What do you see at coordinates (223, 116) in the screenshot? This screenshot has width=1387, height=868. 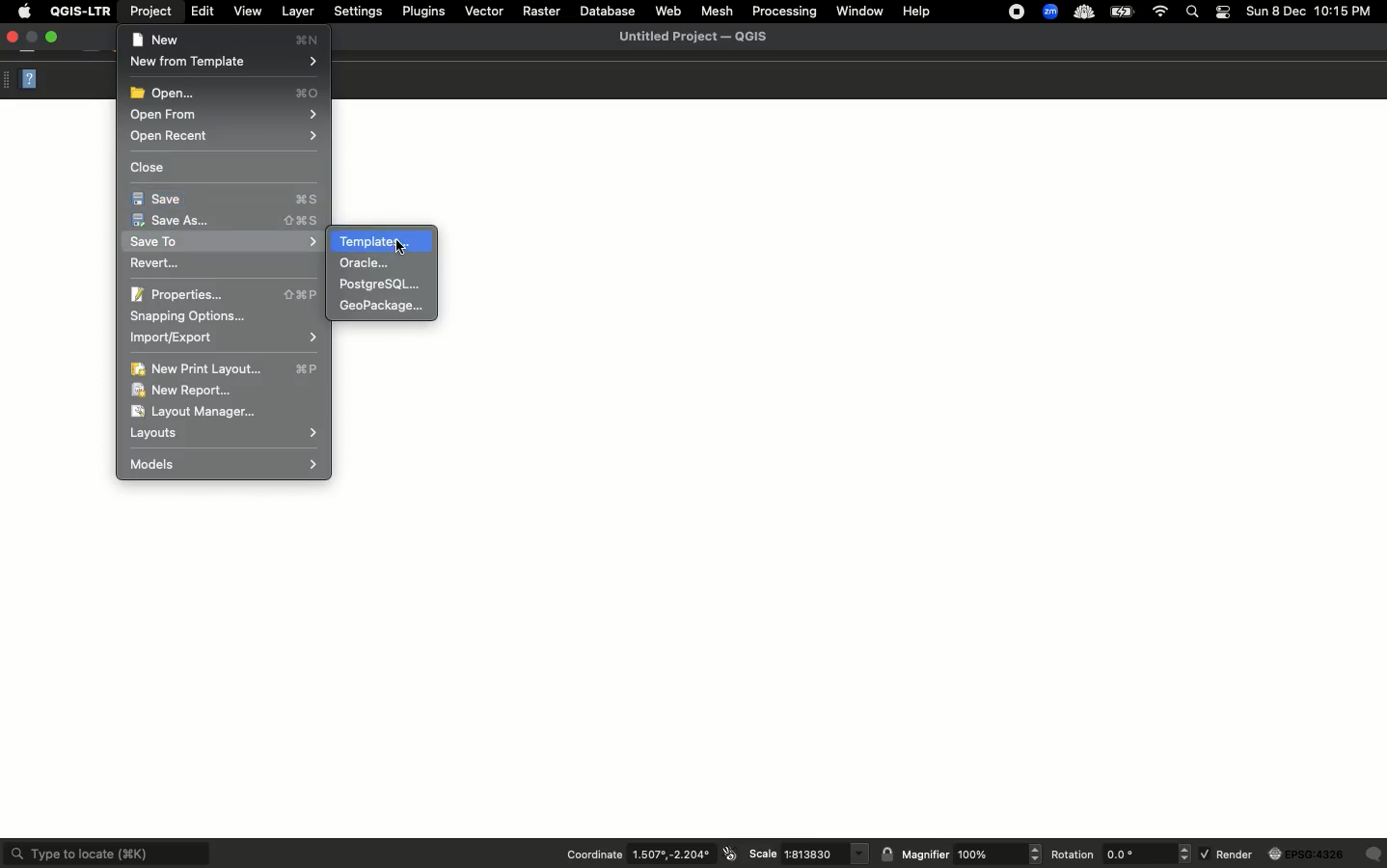 I see `Open from` at bounding box center [223, 116].